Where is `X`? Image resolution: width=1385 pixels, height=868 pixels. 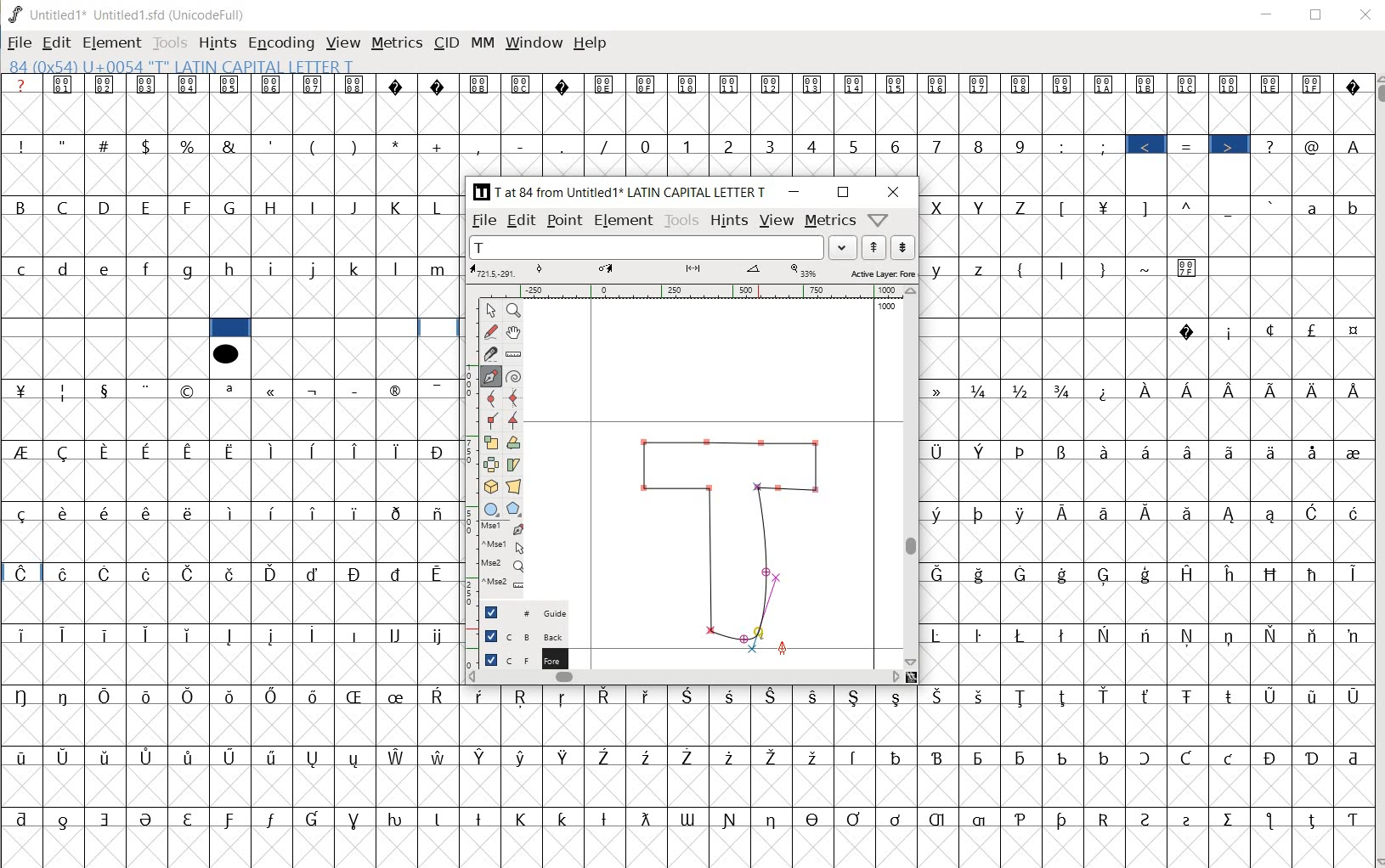 X is located at coordinates (940, 207).